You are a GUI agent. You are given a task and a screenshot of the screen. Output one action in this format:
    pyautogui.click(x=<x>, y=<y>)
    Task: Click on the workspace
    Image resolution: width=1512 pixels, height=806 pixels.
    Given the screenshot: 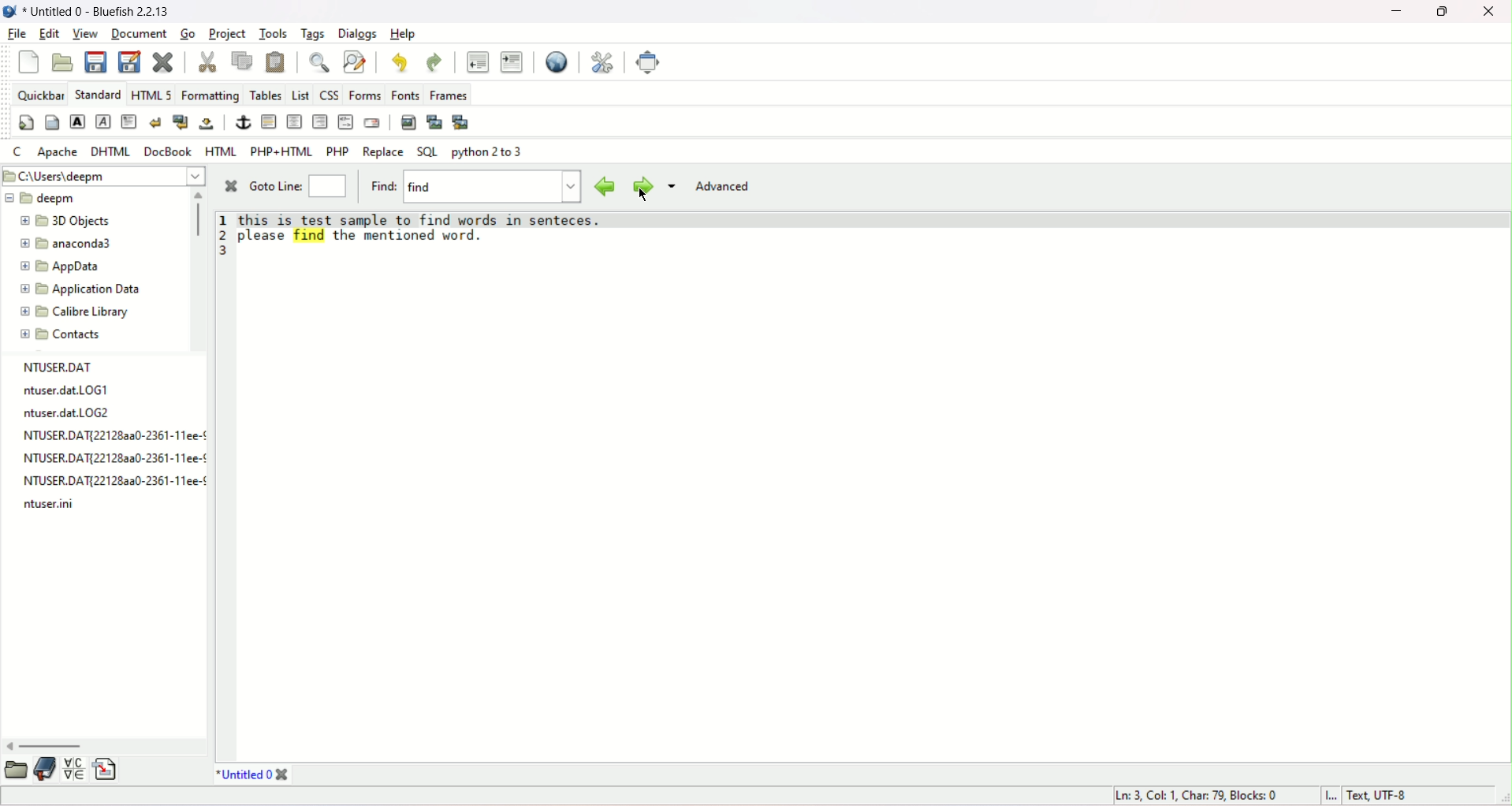 What is the action you would take?
    pyautogui.click(x=881, y=508)
    